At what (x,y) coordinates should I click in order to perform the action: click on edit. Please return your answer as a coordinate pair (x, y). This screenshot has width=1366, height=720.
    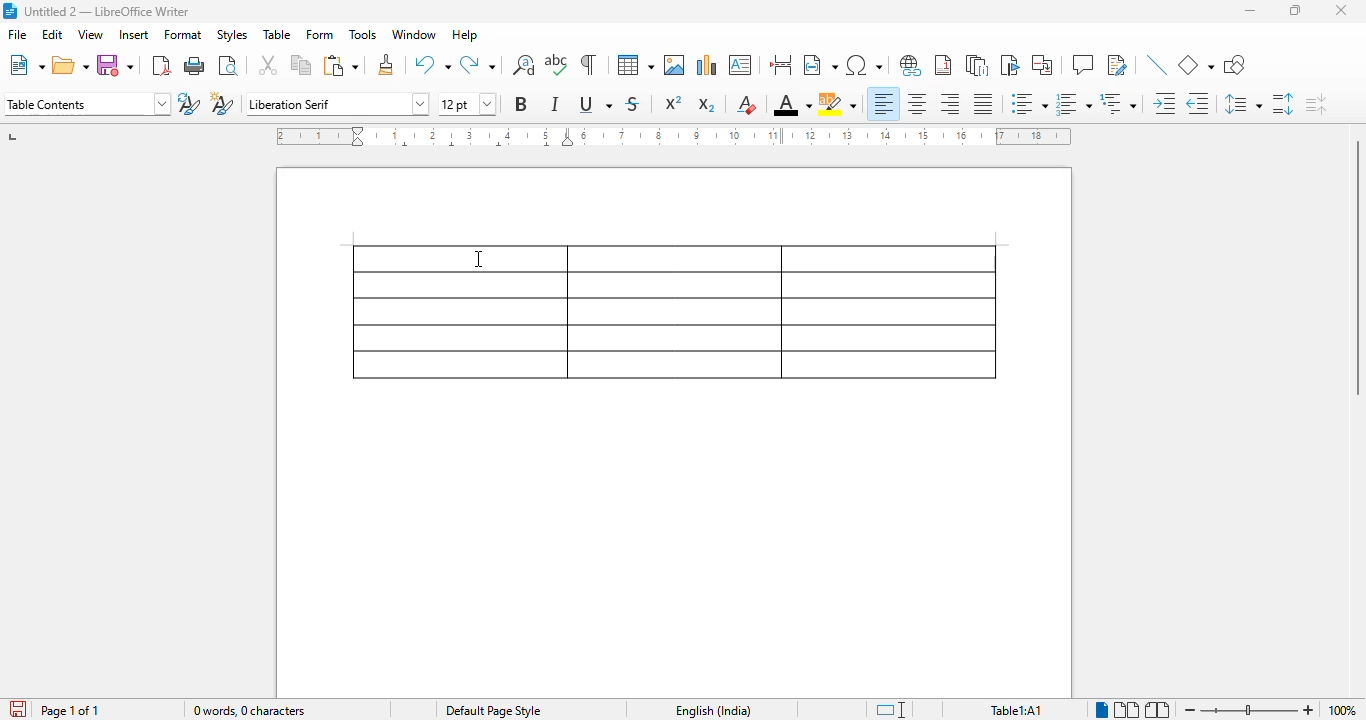
    Looking at the image, I should click on (52, 34).